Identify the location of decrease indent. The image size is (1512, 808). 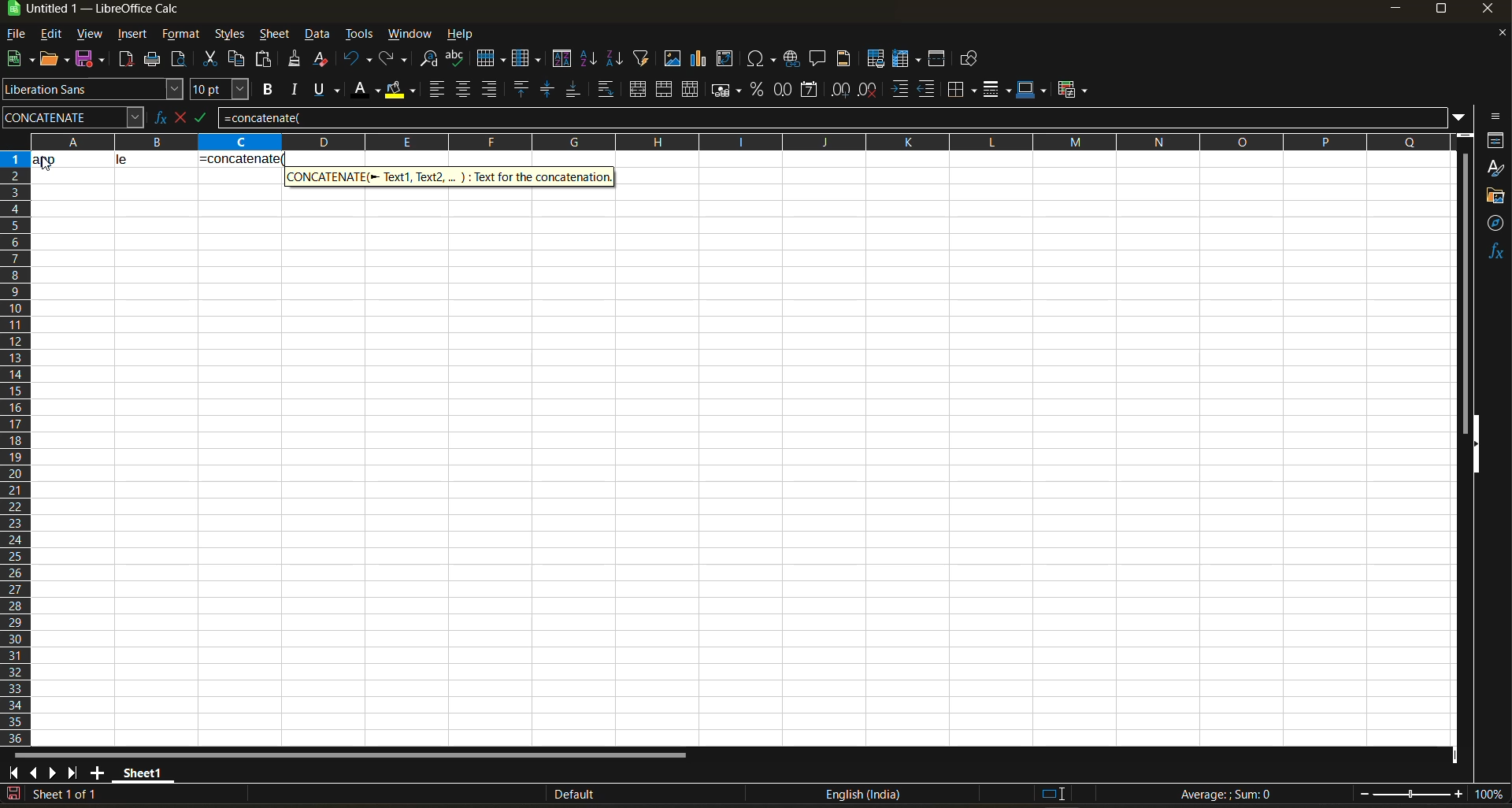
(930, 90).